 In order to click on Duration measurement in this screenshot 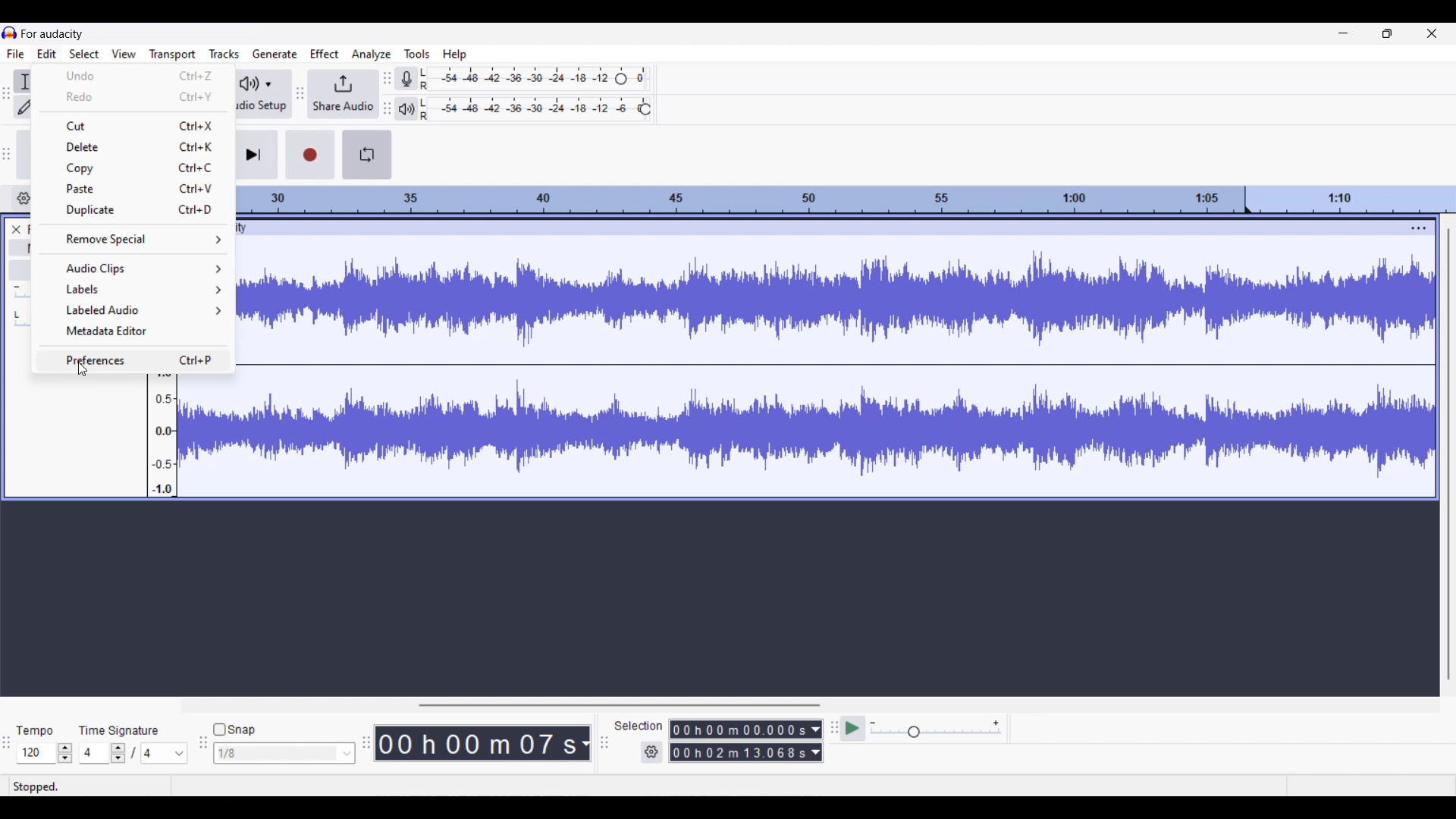, I will do `click(817, 741)`.